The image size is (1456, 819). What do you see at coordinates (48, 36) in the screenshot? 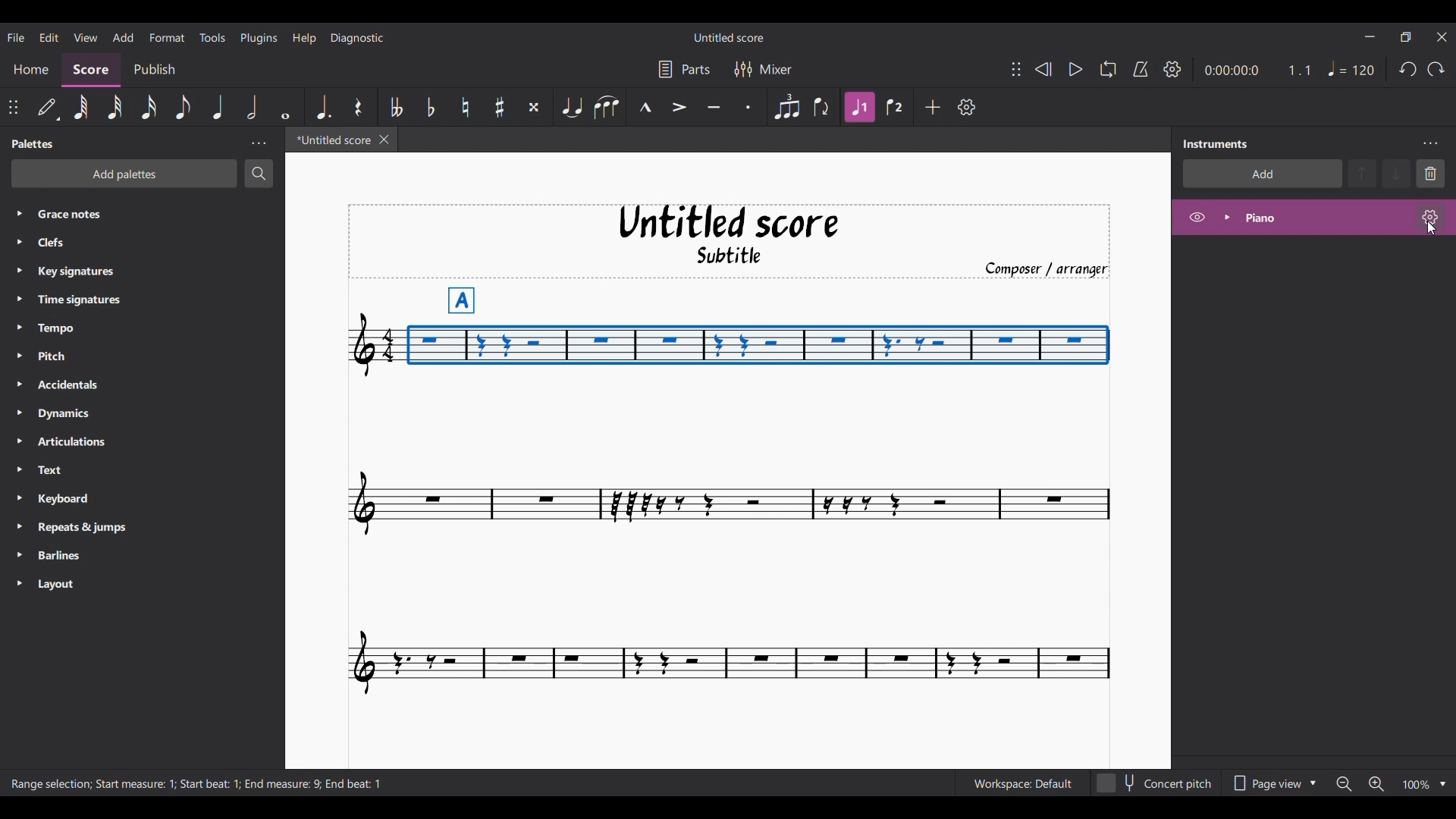
I see `Edit menu` at bounding box center [48, 36].